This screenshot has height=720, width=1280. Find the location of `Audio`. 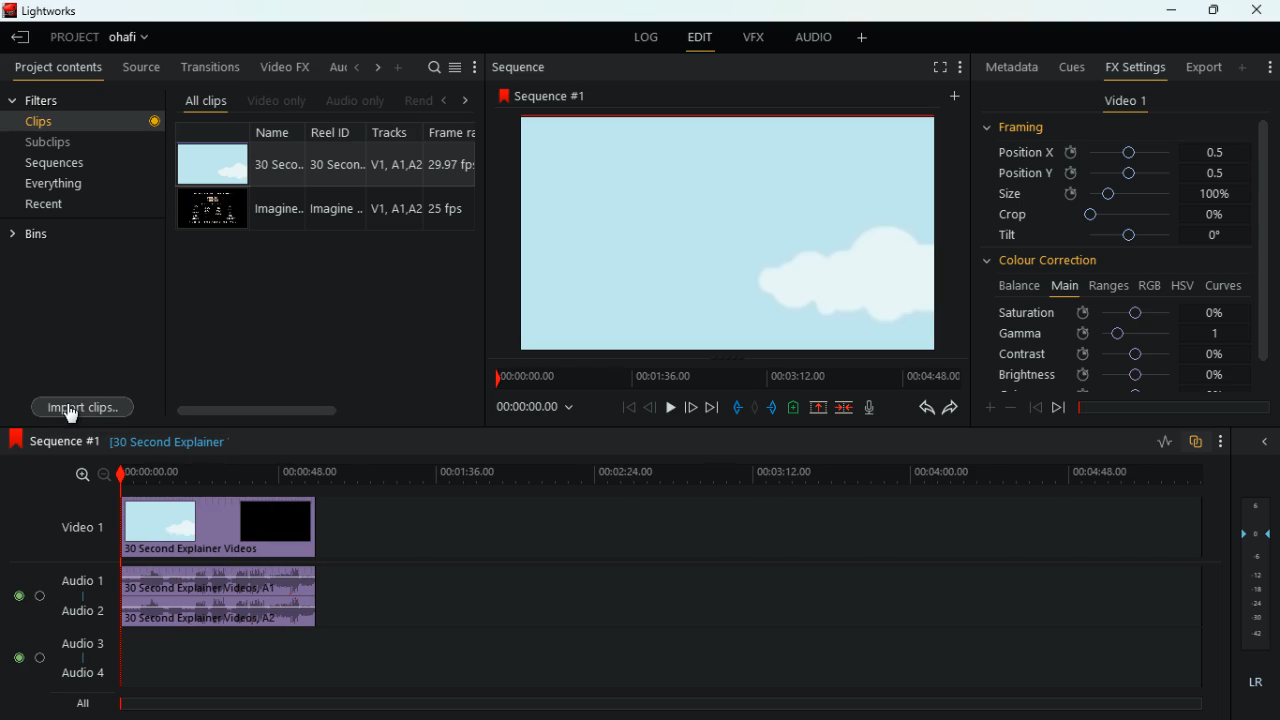

Audio is located at coordinates (28, 658).